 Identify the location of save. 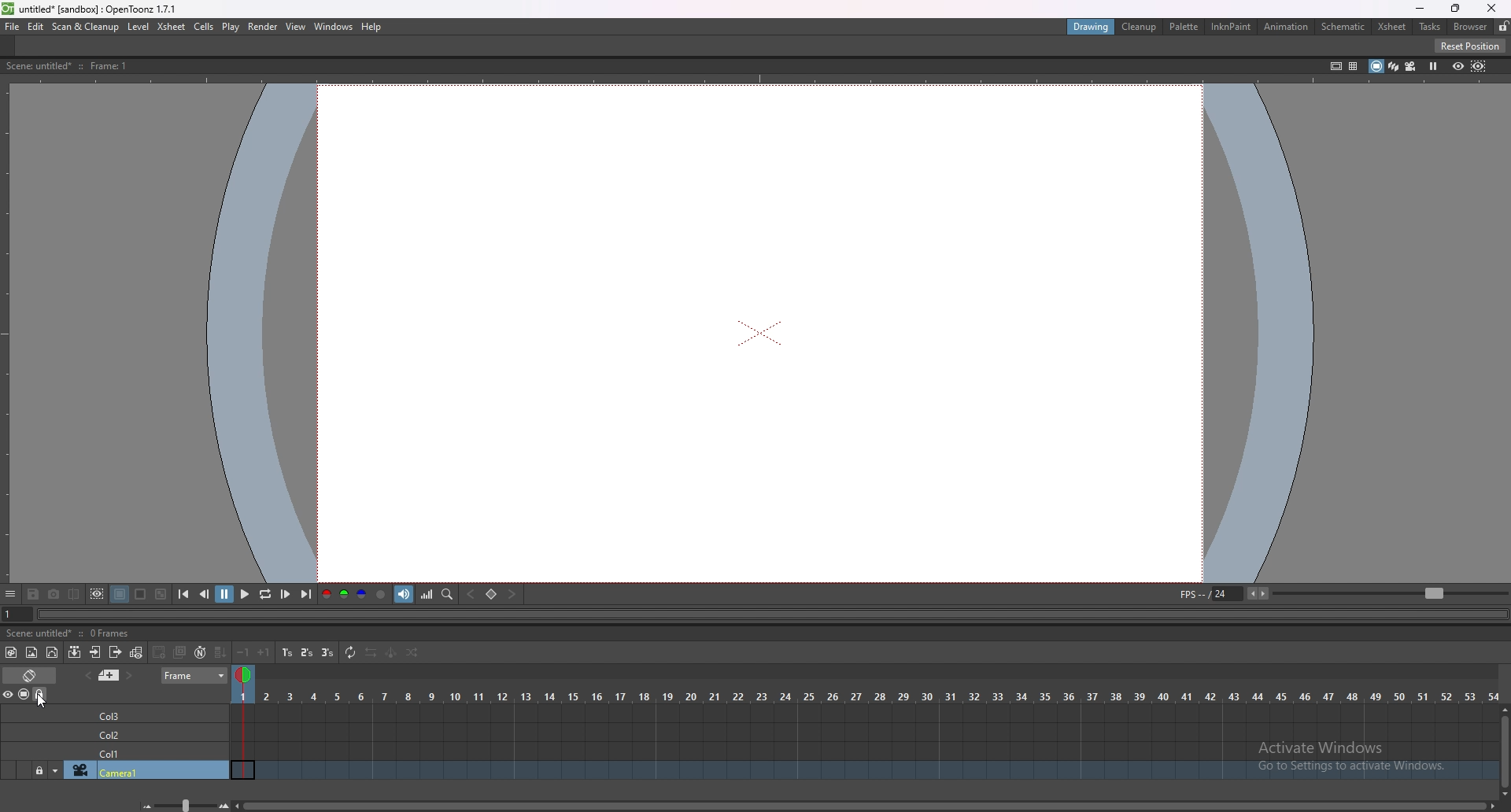
(35, 593).